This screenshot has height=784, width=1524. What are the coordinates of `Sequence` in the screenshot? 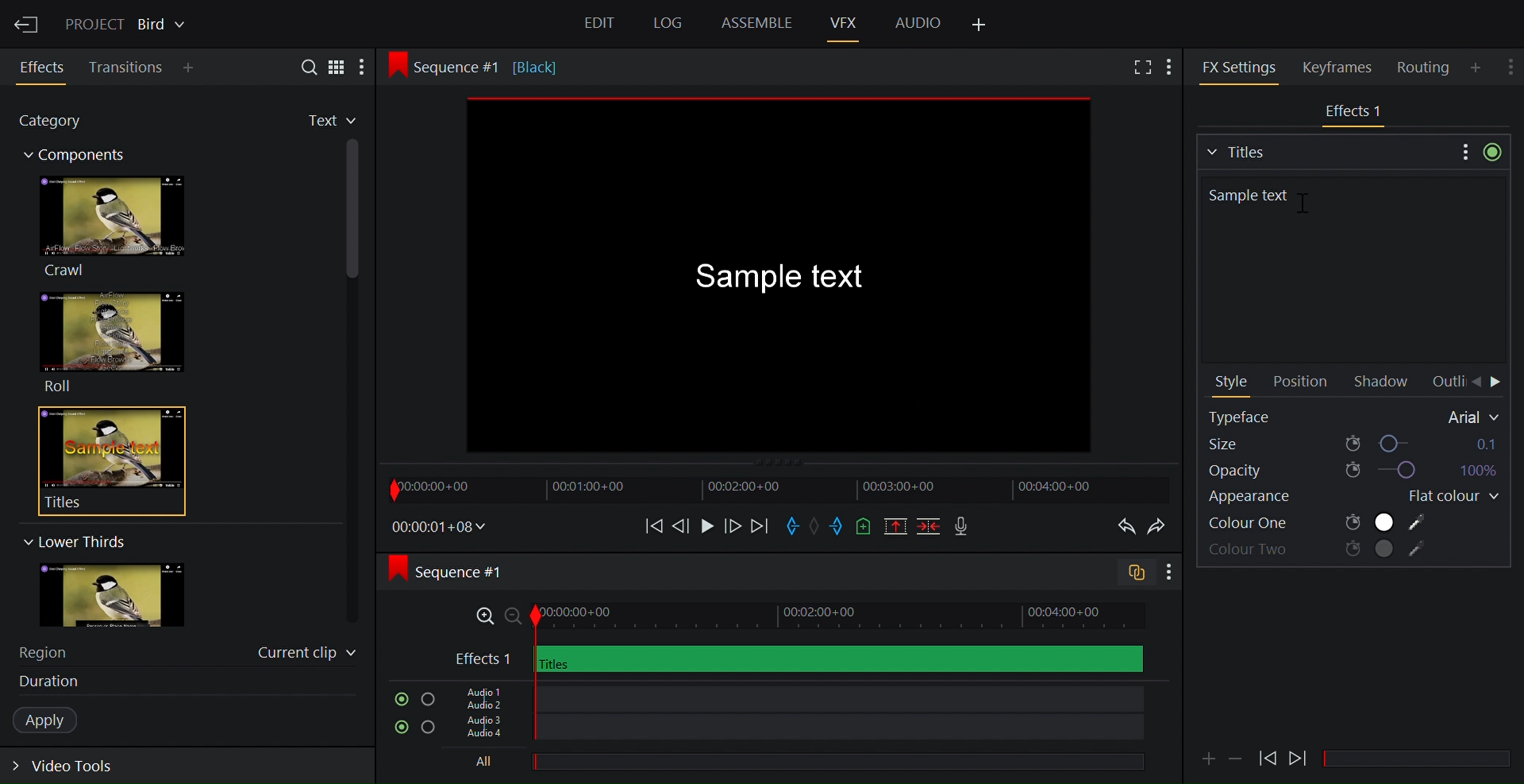 It's located at (464, 571).